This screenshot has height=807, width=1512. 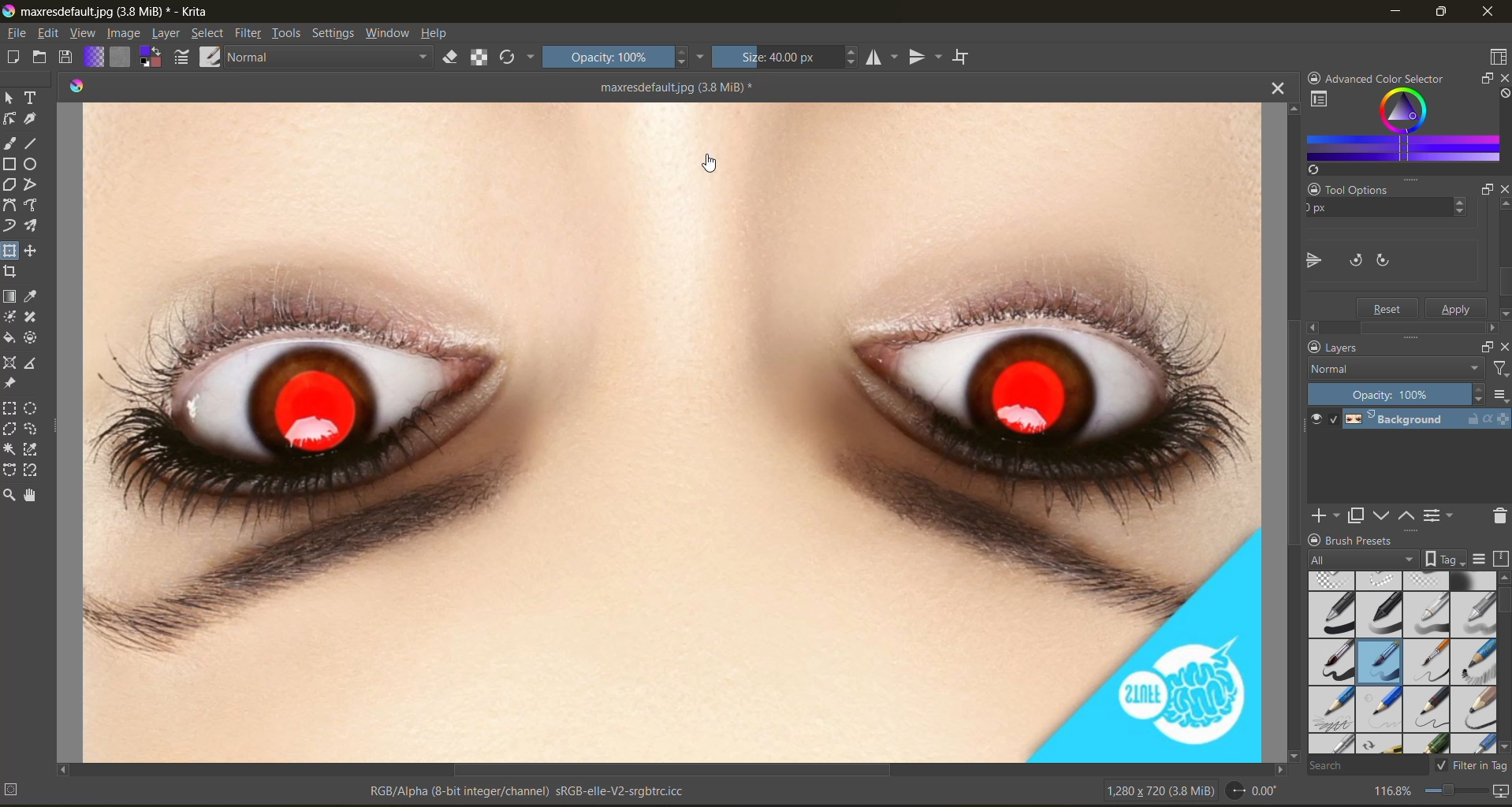 I want to click on y axis, so click(x=1370, y=210).